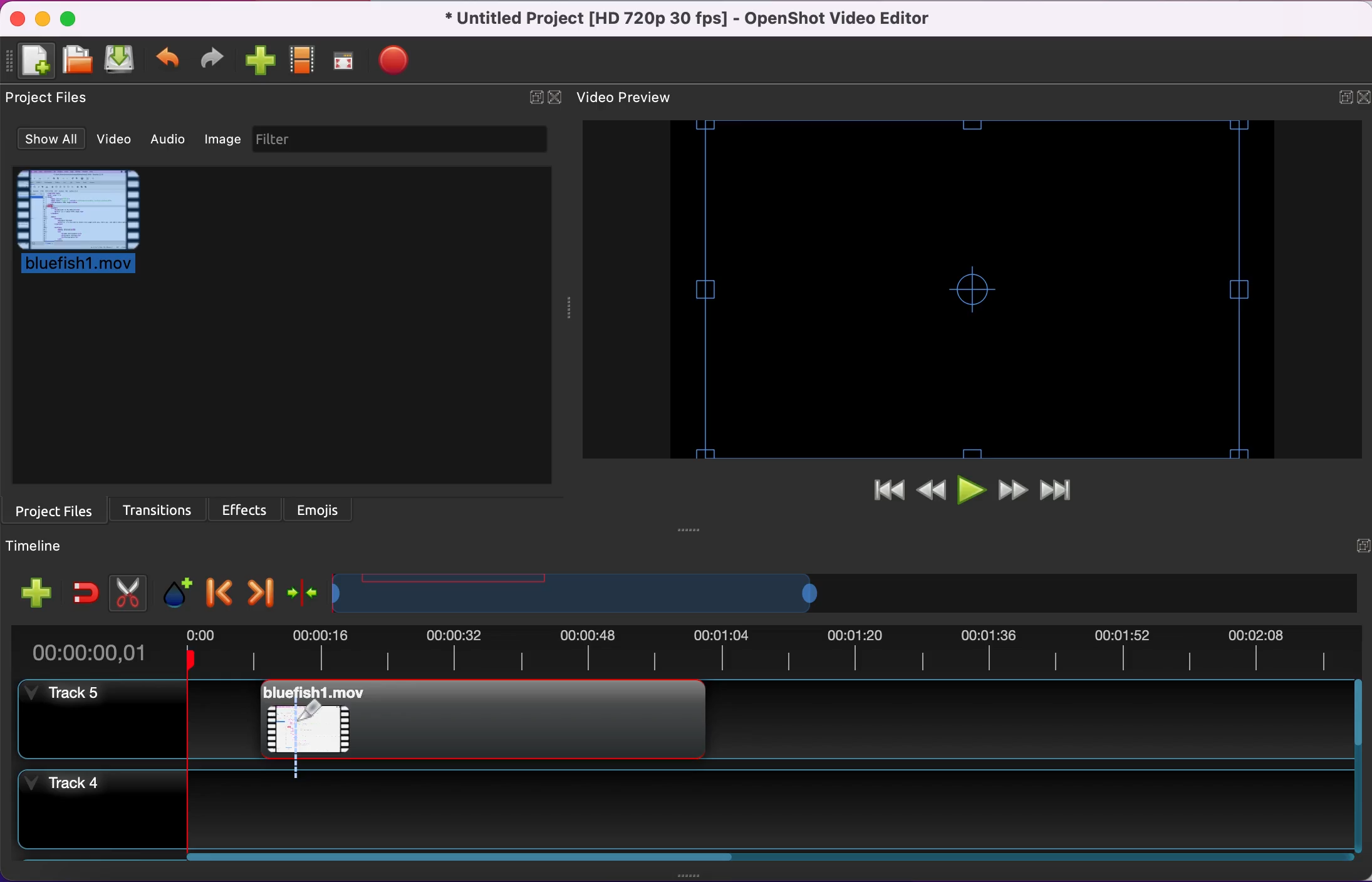  Describe the element at coordinates (247, 509) in the screenshot. I see `effects` at that location.